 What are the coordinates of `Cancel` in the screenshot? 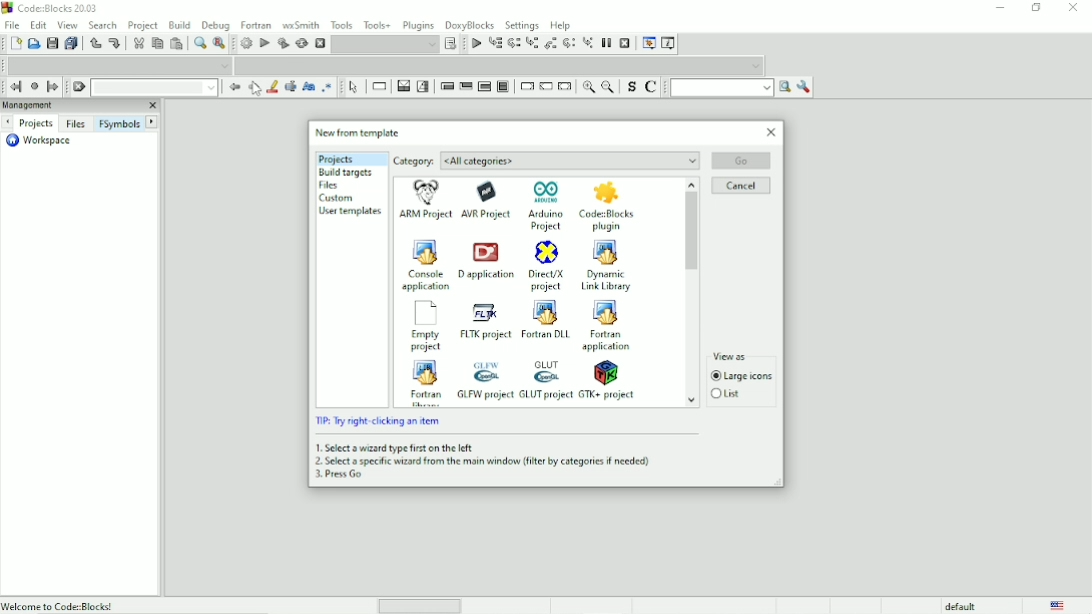 It's located at (741, 186).